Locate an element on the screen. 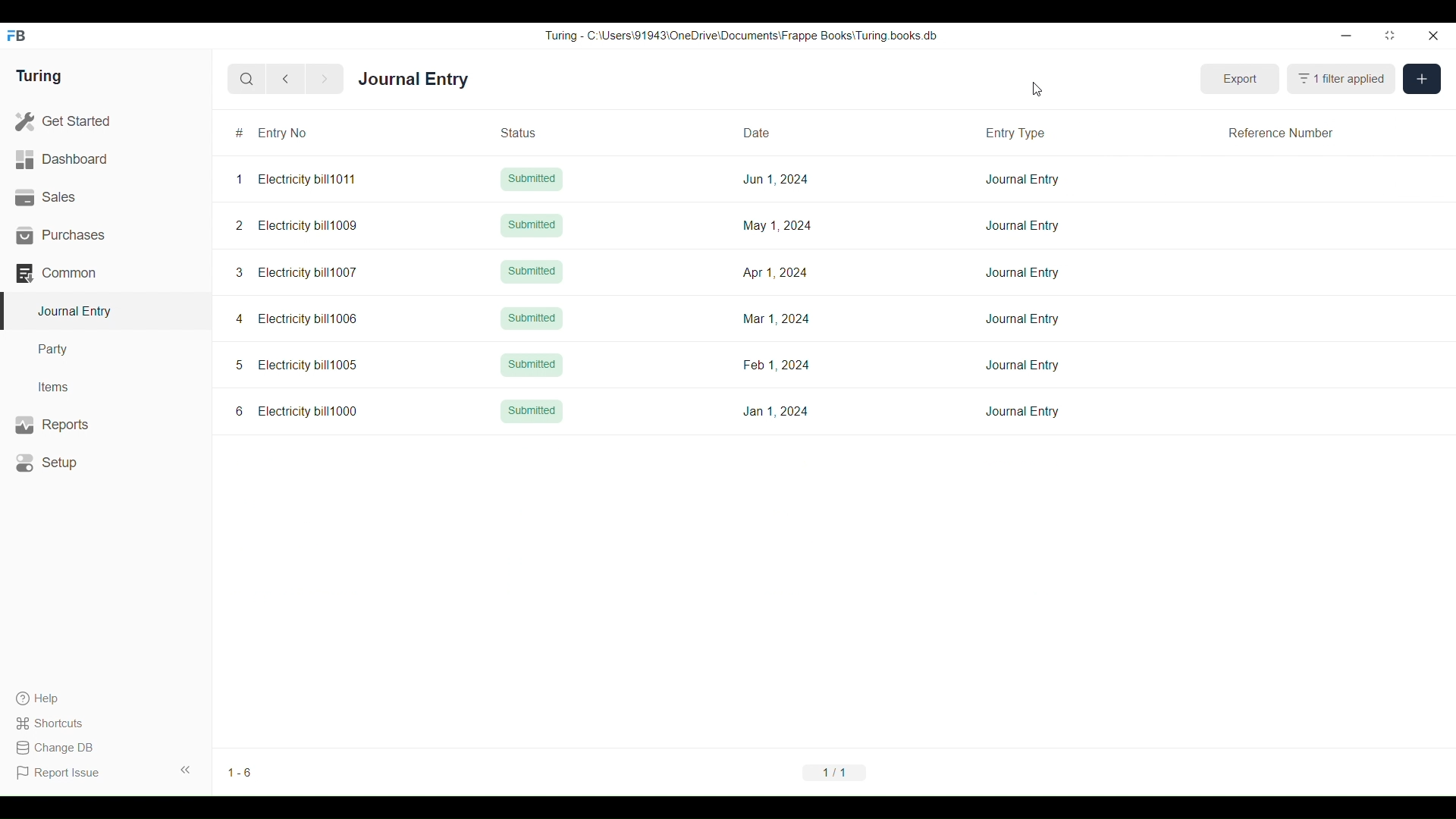 This screenshot has width=1456, height=819. Journal Entry is located at coordinates (1022, 318).